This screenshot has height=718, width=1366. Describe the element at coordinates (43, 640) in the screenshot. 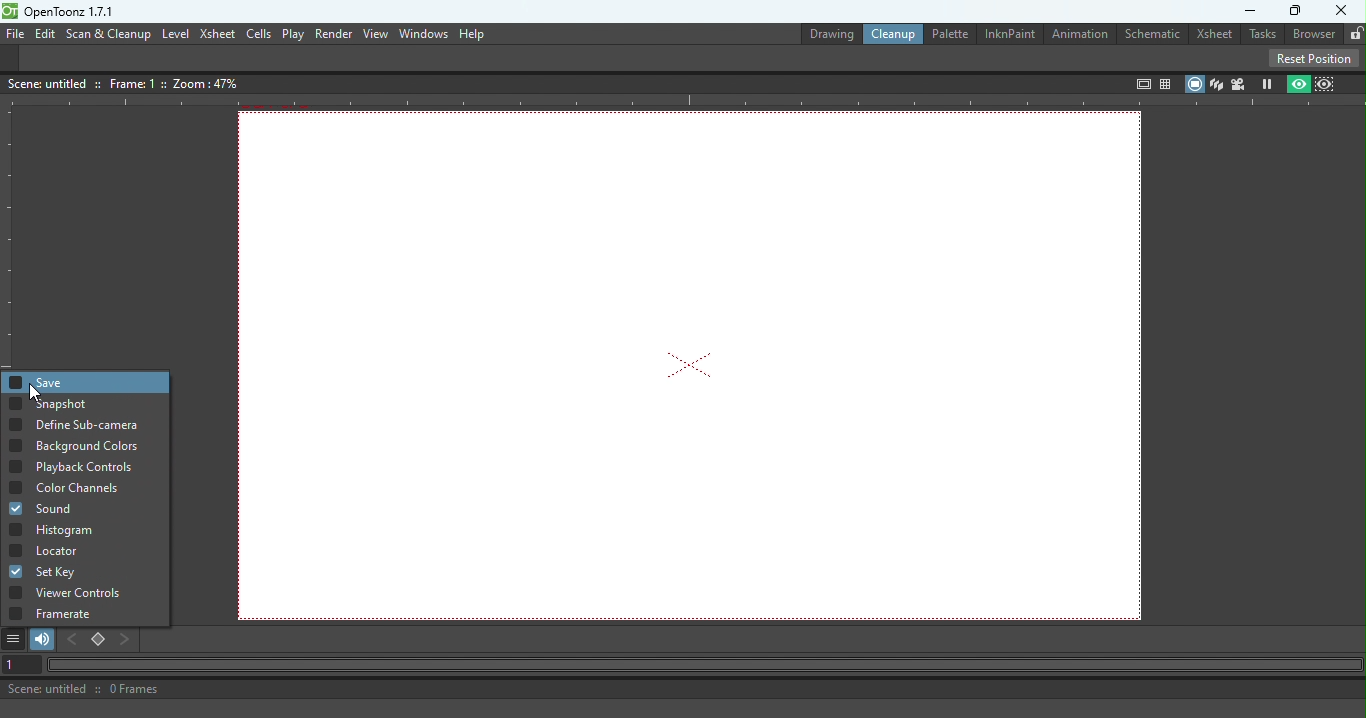

I see `Soundtrack` at that location.